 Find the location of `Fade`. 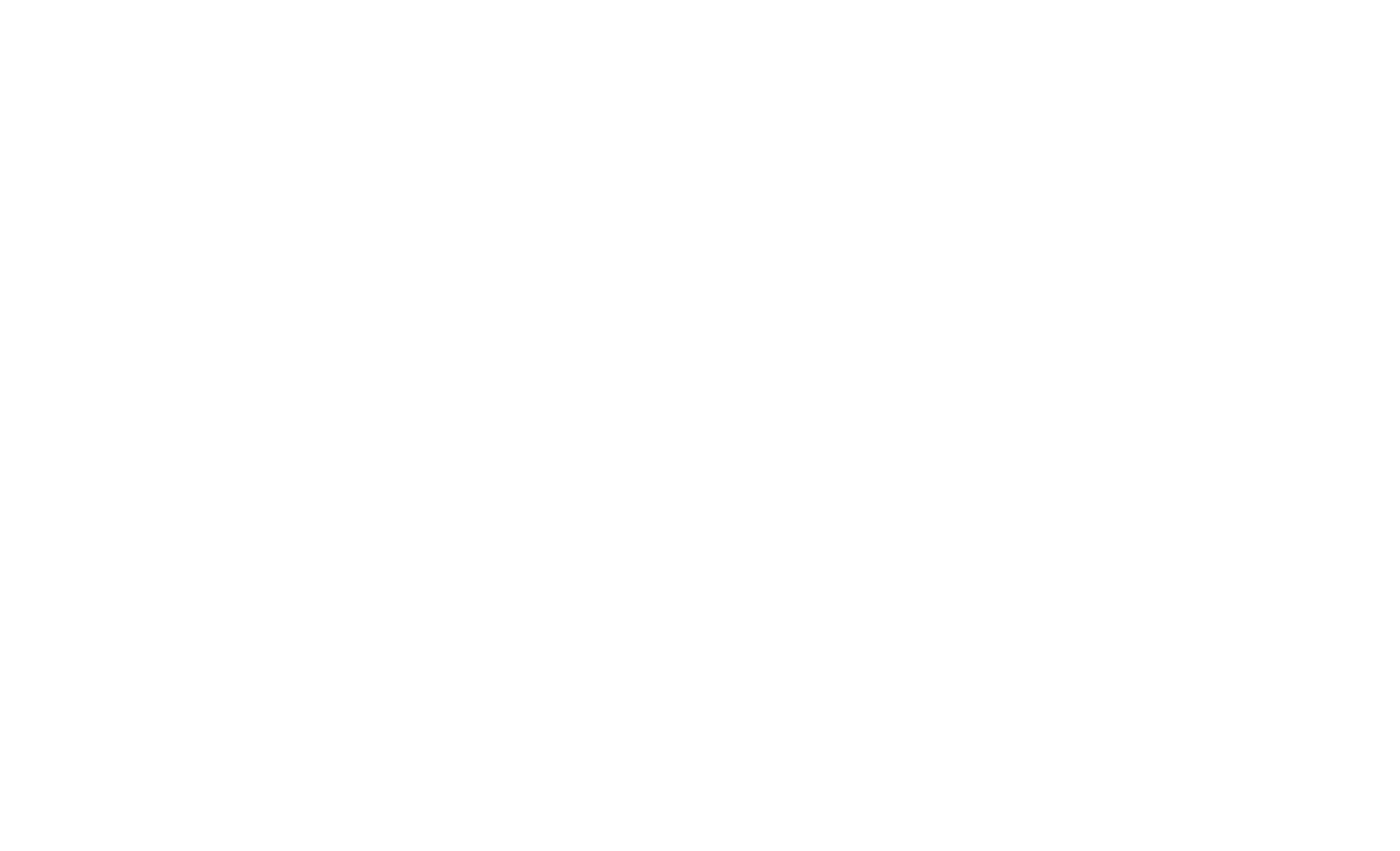

Fade is located at coordinates (1032, 595).